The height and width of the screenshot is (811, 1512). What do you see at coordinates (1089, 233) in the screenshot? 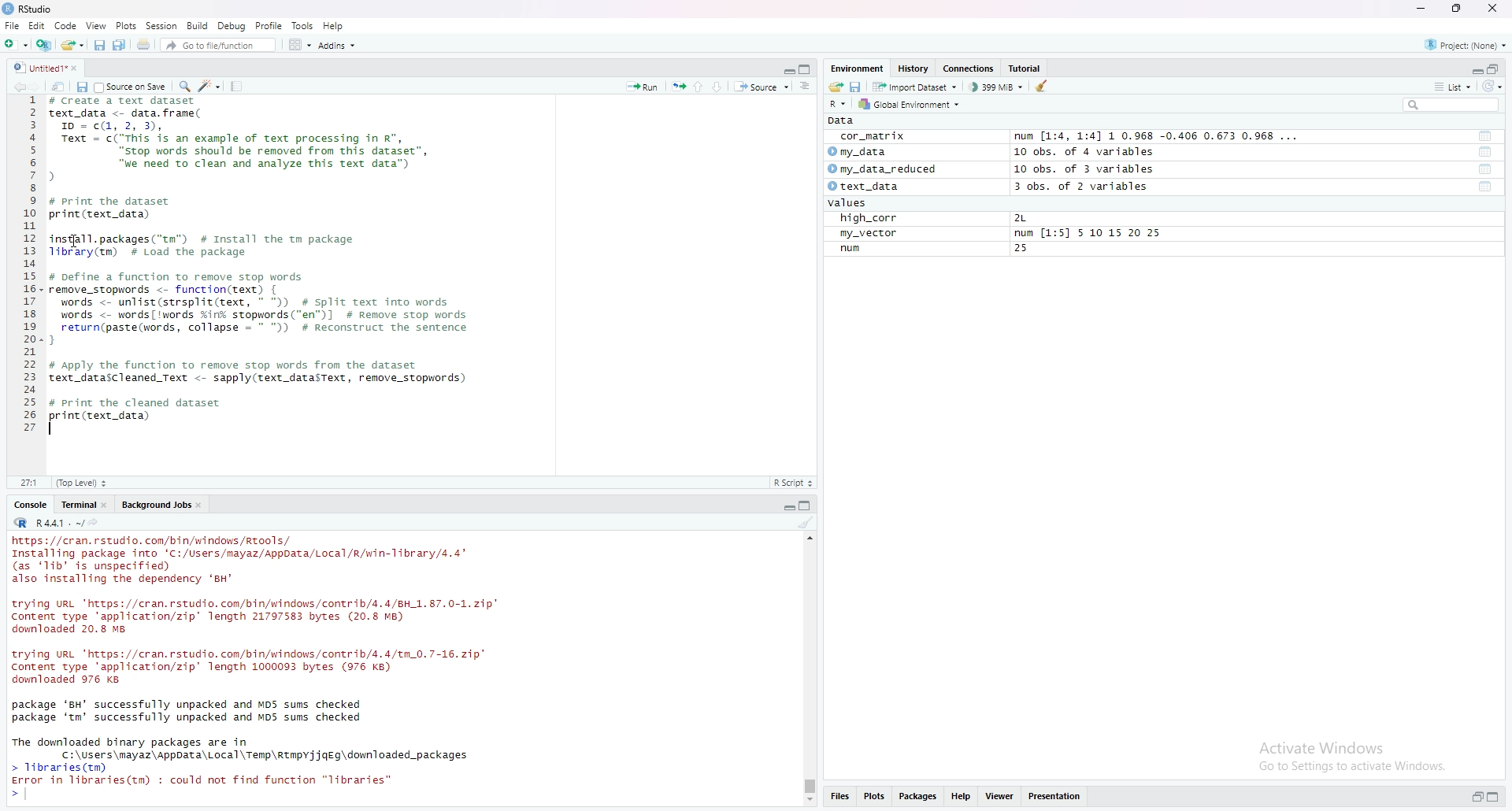
I see `num [1:5] 5 10 15 20 25` at bounding box center [1089, 233].